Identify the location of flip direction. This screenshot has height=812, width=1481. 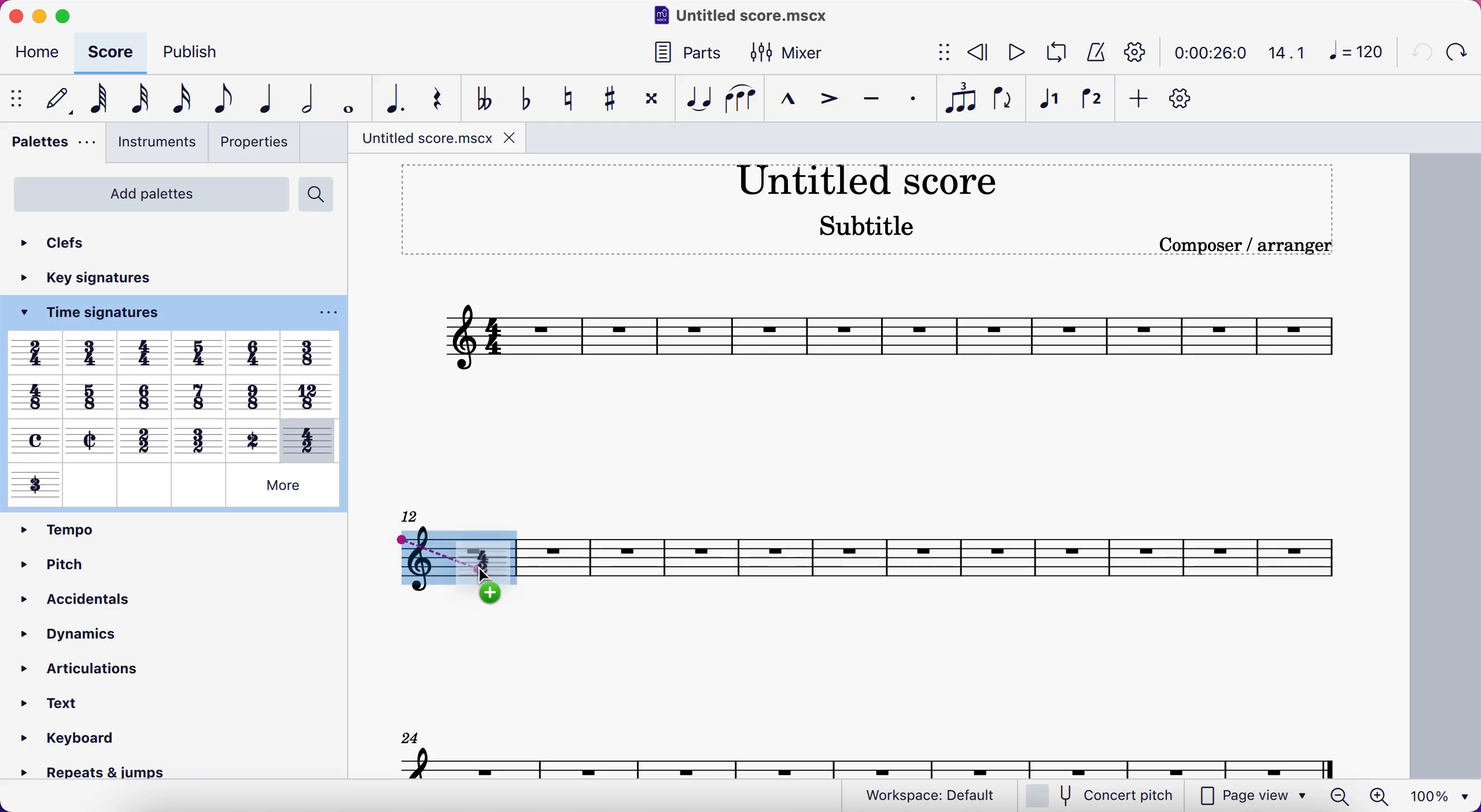
(1001, 98).